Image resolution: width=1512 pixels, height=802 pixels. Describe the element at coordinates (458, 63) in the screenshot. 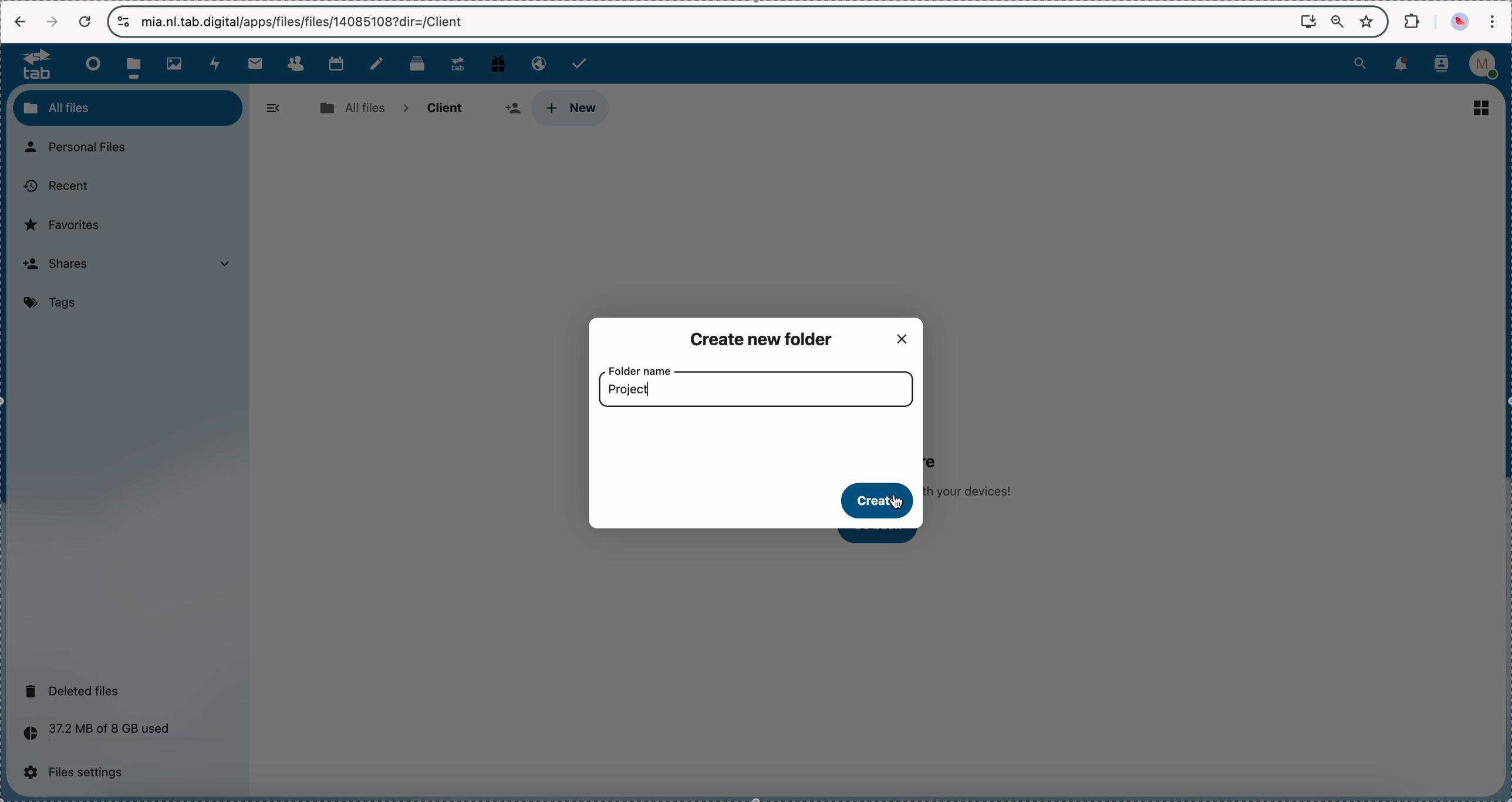

I see `upgrade` at that location.